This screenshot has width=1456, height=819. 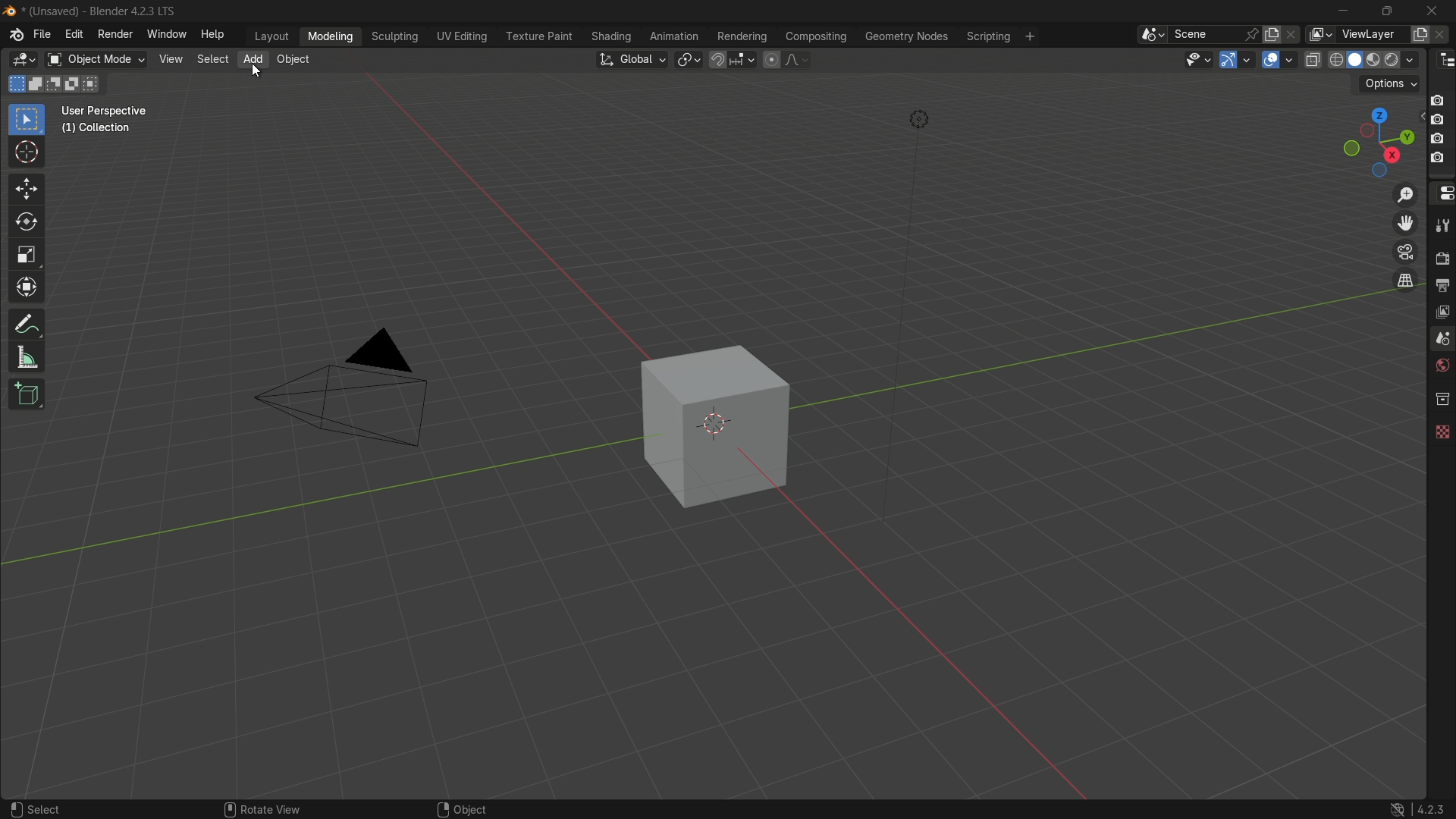 I want to click on modeling menu, so click(x=331, y=36).